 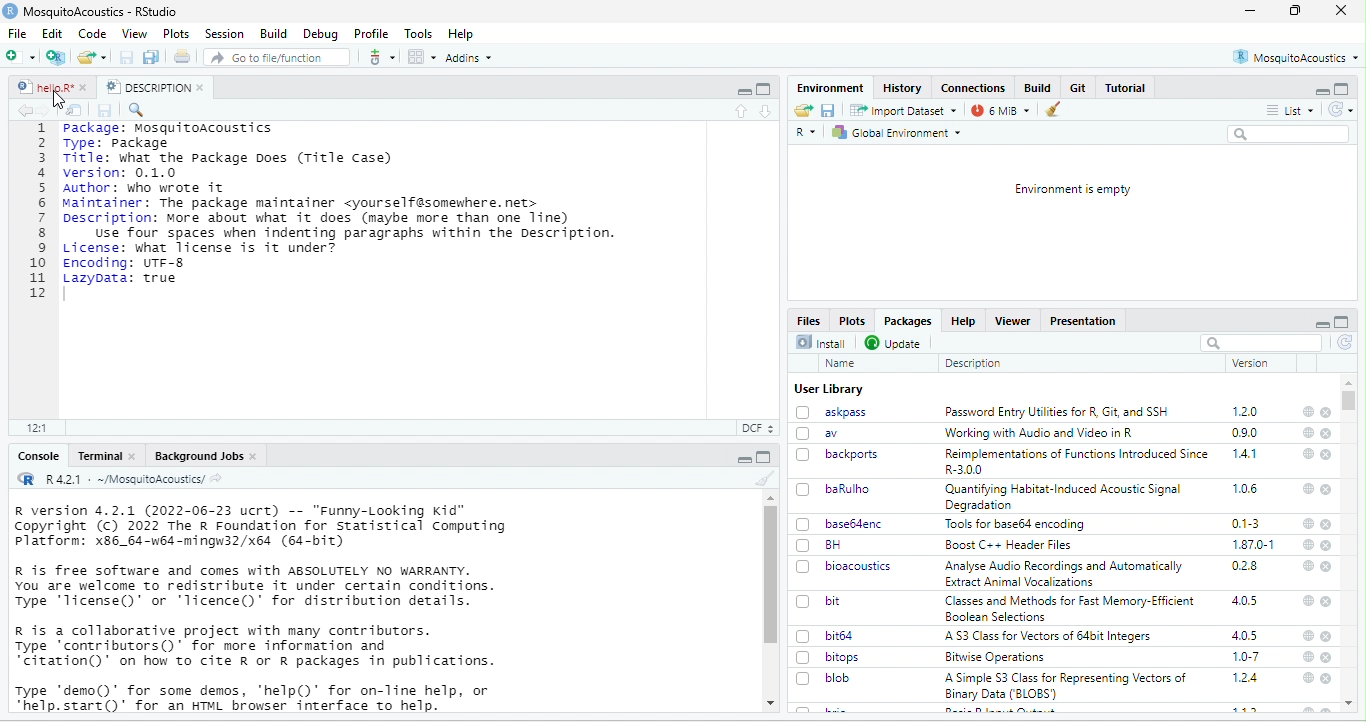 What do you see at coordinates (1327, 679) in the screenshot?
I see `close` at bounding box center [1327, 679].